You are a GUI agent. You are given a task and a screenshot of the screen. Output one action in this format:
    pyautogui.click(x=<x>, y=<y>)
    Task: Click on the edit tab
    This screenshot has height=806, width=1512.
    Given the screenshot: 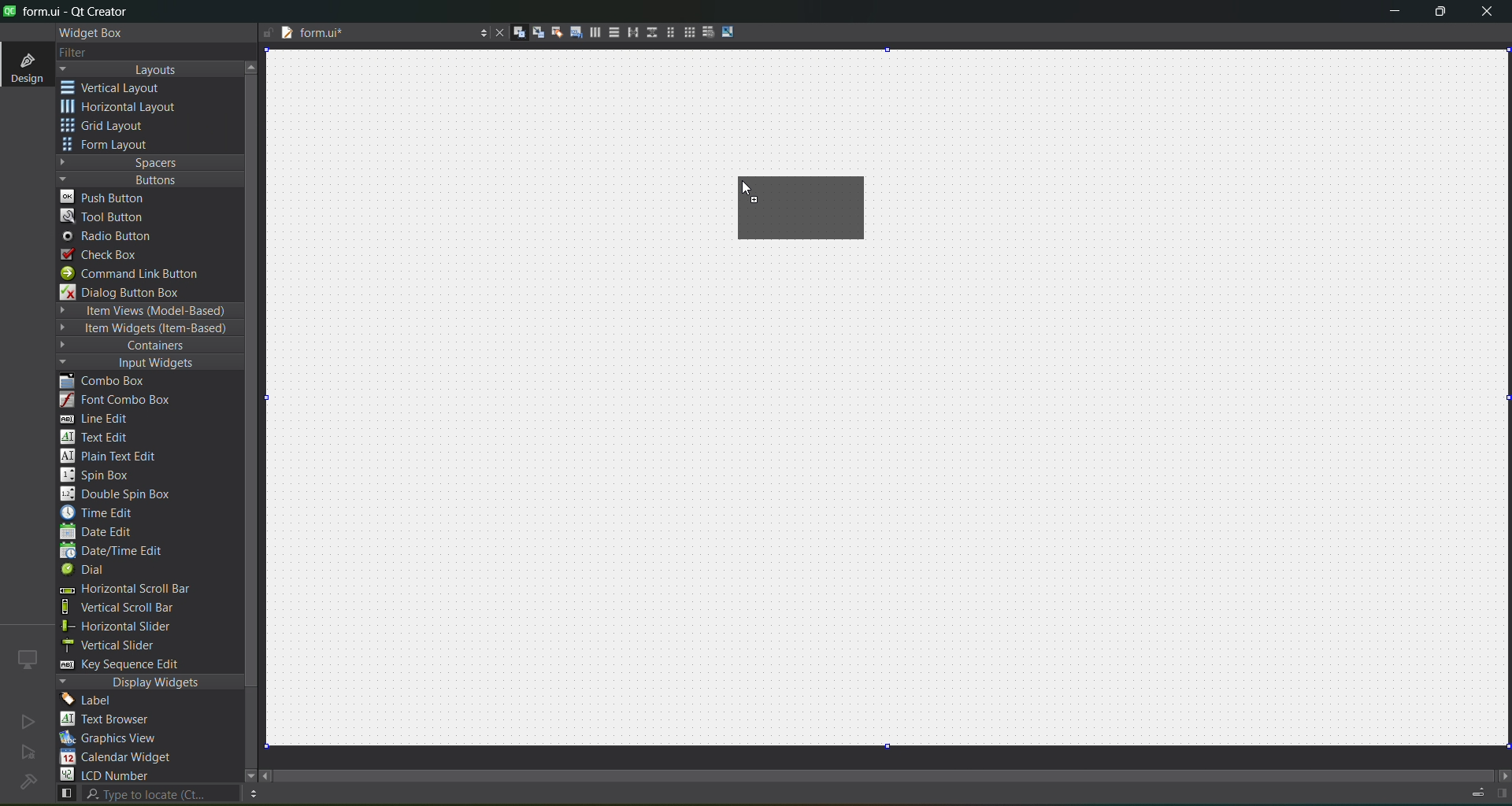 What is the action you would take?
    pyautogui.click(x=570, y=35)
    